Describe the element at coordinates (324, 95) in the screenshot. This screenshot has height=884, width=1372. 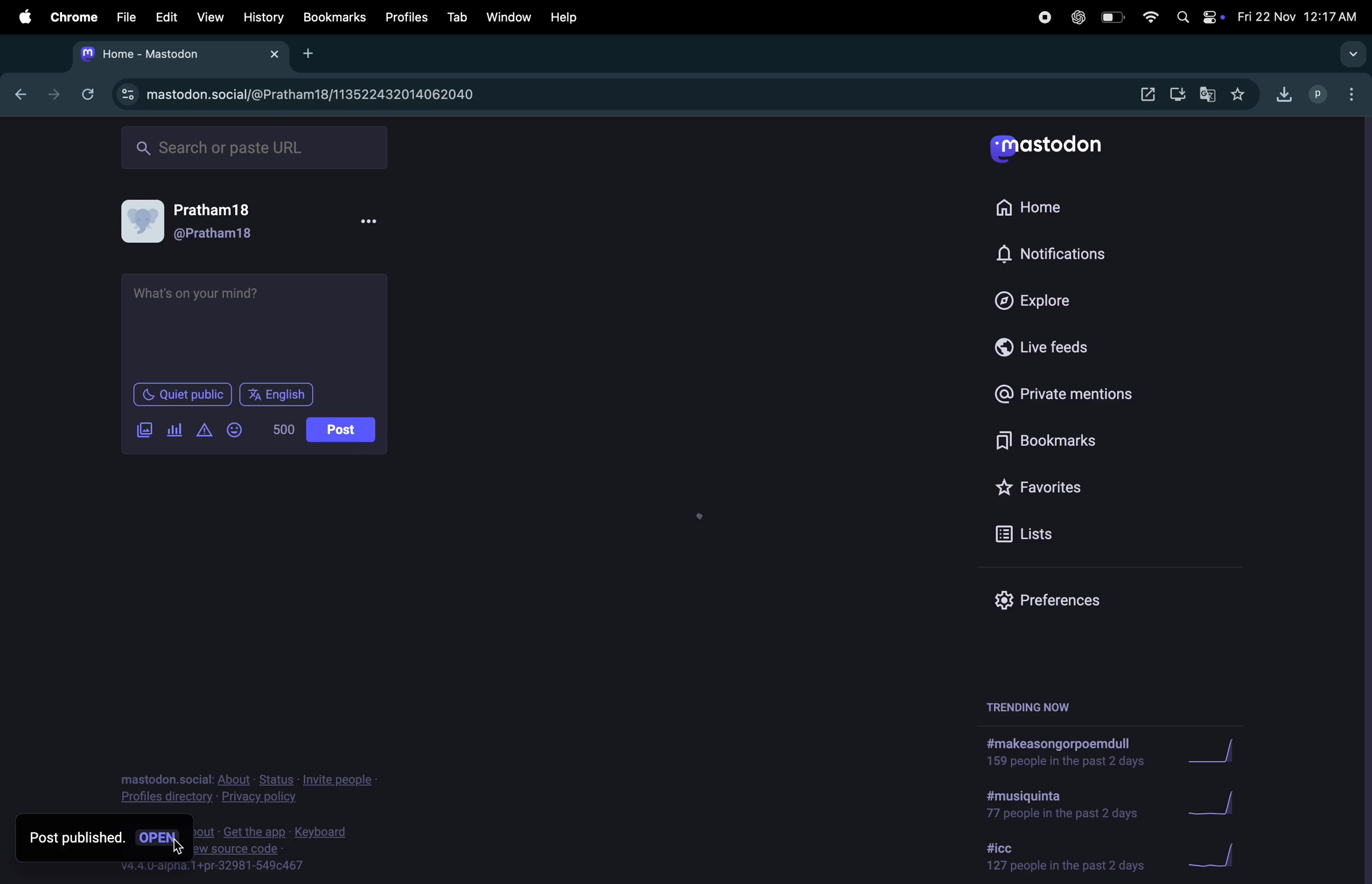
I see `mastodon url` at that location.